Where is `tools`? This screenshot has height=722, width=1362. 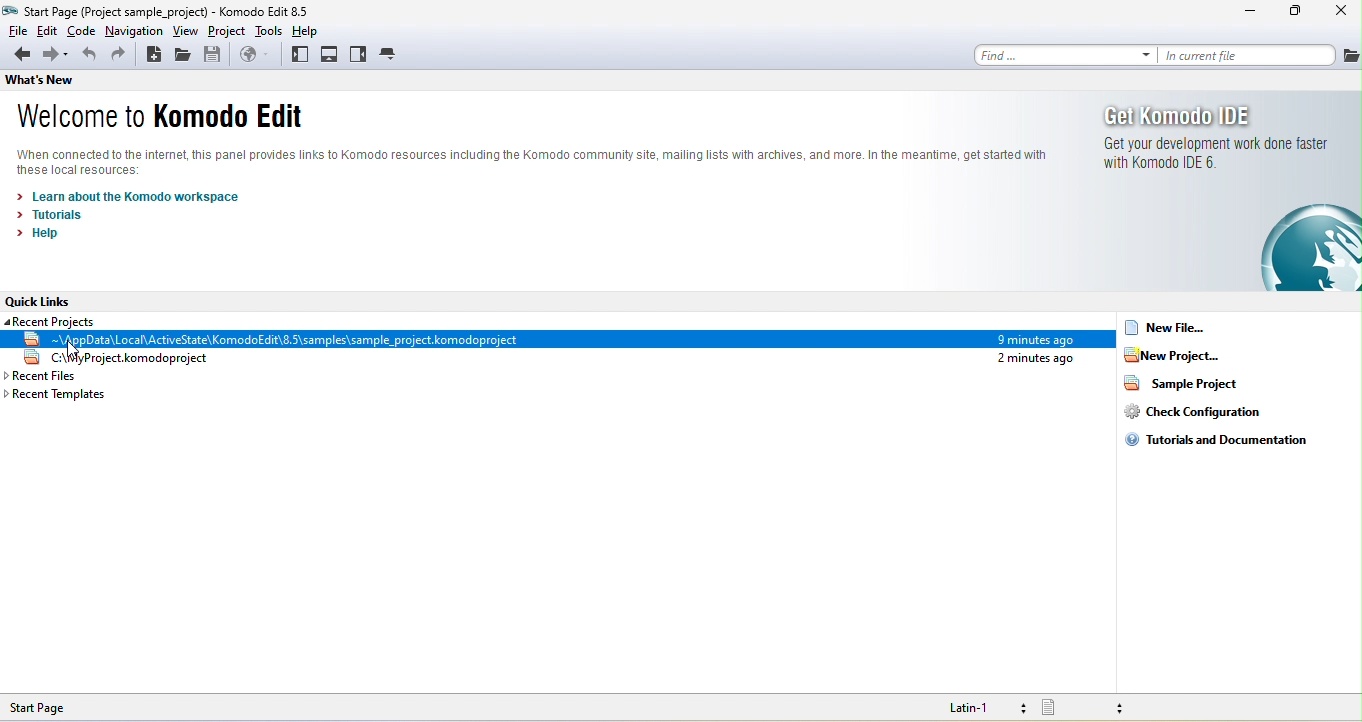 tools is located at coordinates (263, 32).